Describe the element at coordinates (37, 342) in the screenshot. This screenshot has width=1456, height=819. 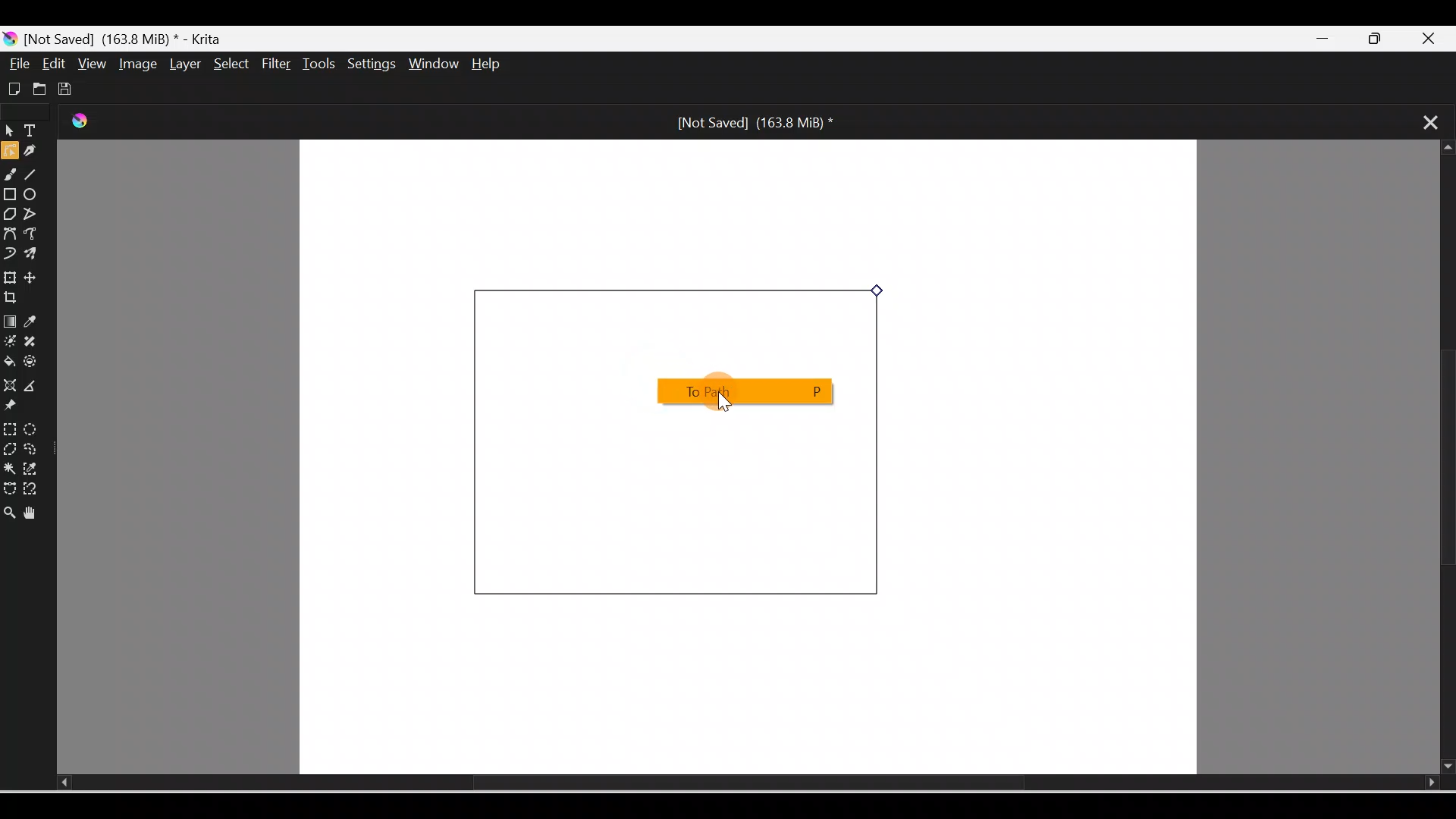
I see `Smart patch tool` at that location.